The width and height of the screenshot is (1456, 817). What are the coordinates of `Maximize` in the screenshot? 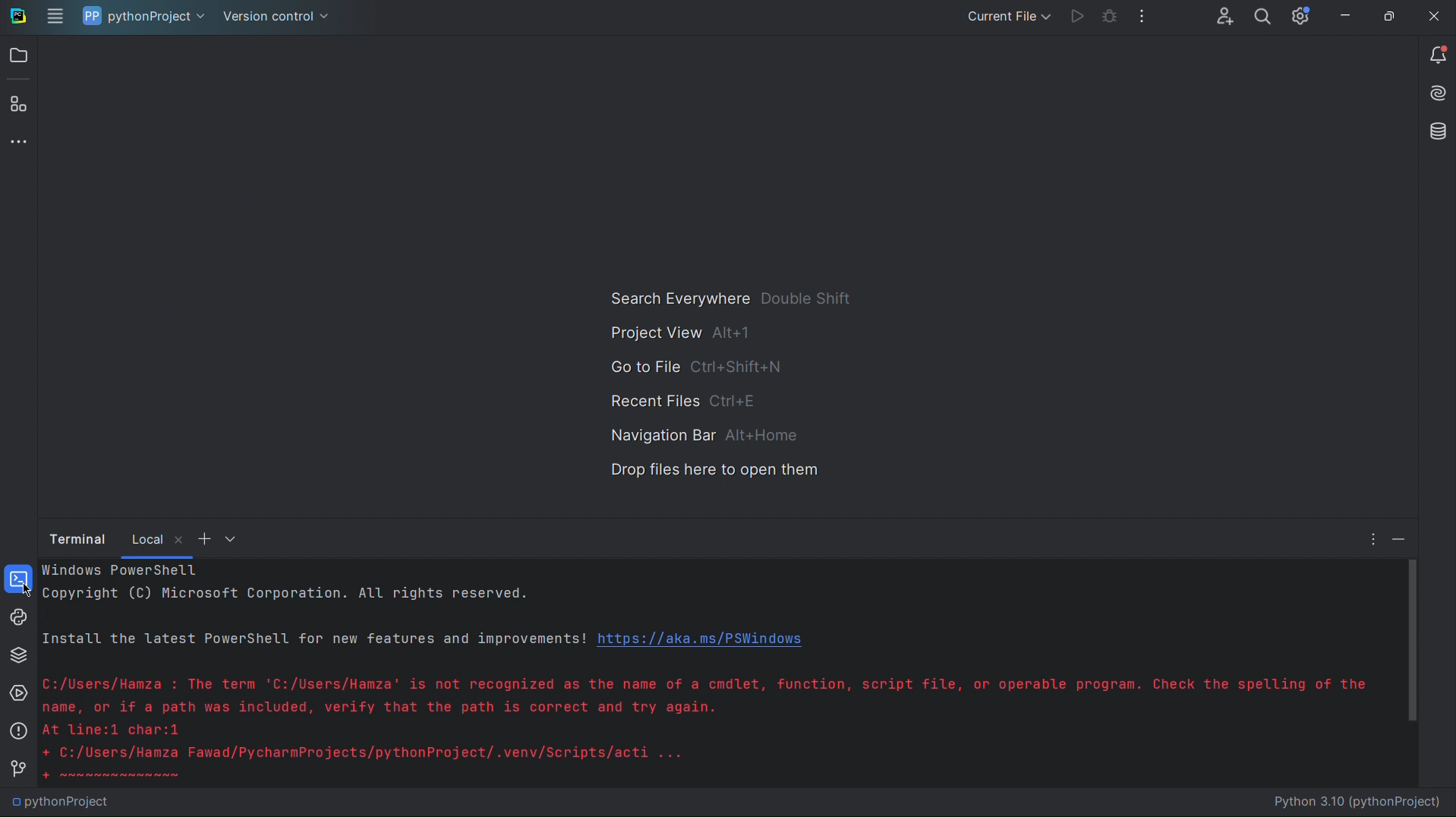 It's located at (1389, 17).